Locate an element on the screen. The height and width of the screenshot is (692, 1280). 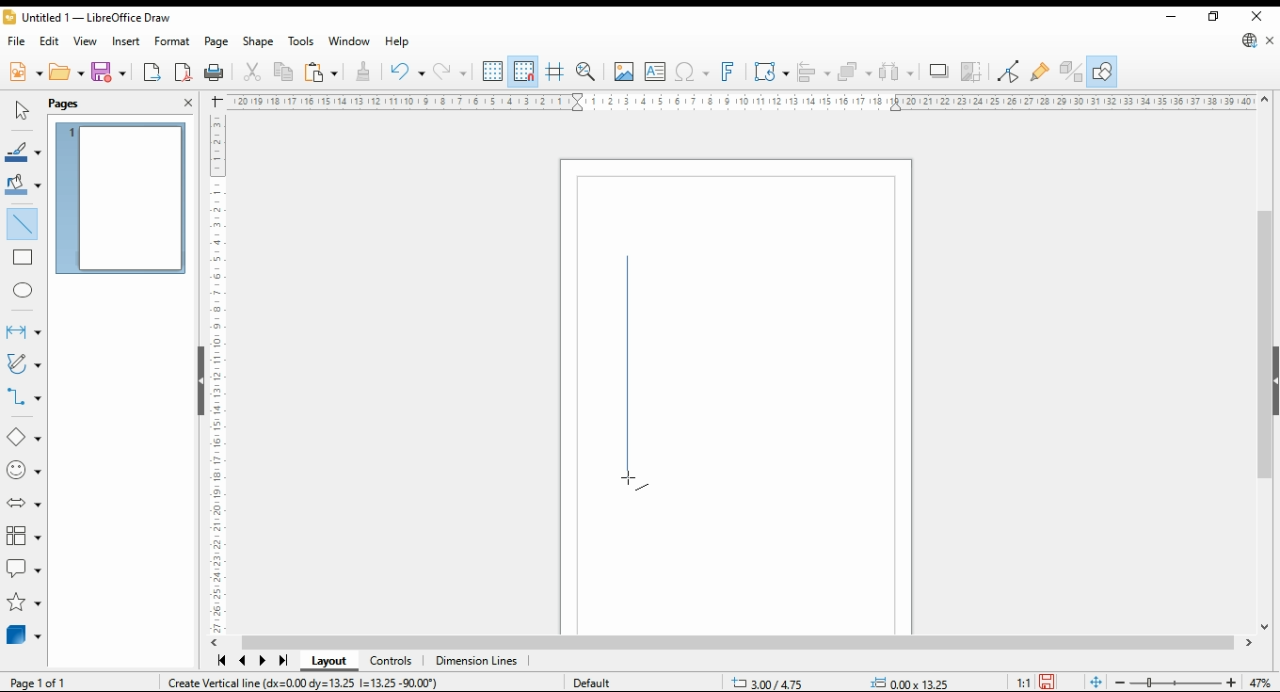
line color is located at coordinates (24, 152).